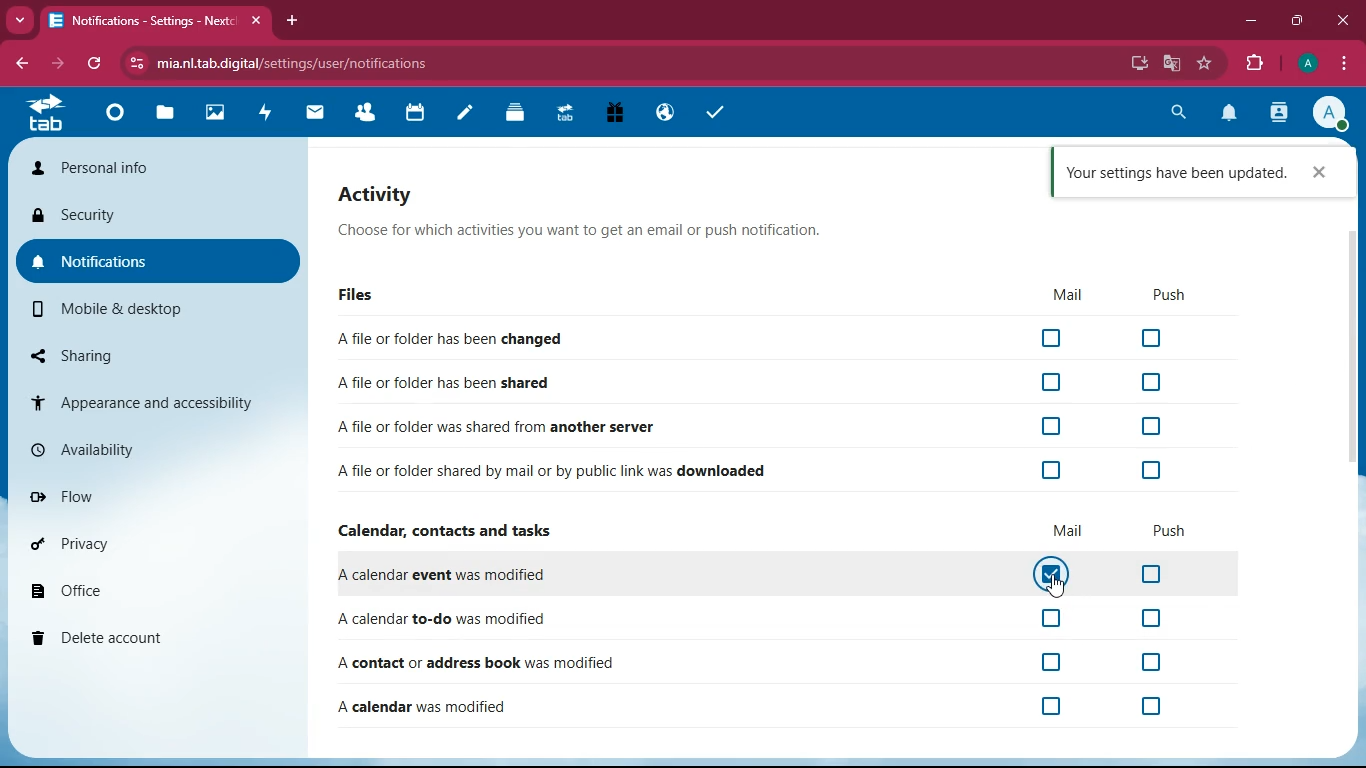 This screenshot has height=768, width=1366. I want to click on Deck, so click(517, 115).